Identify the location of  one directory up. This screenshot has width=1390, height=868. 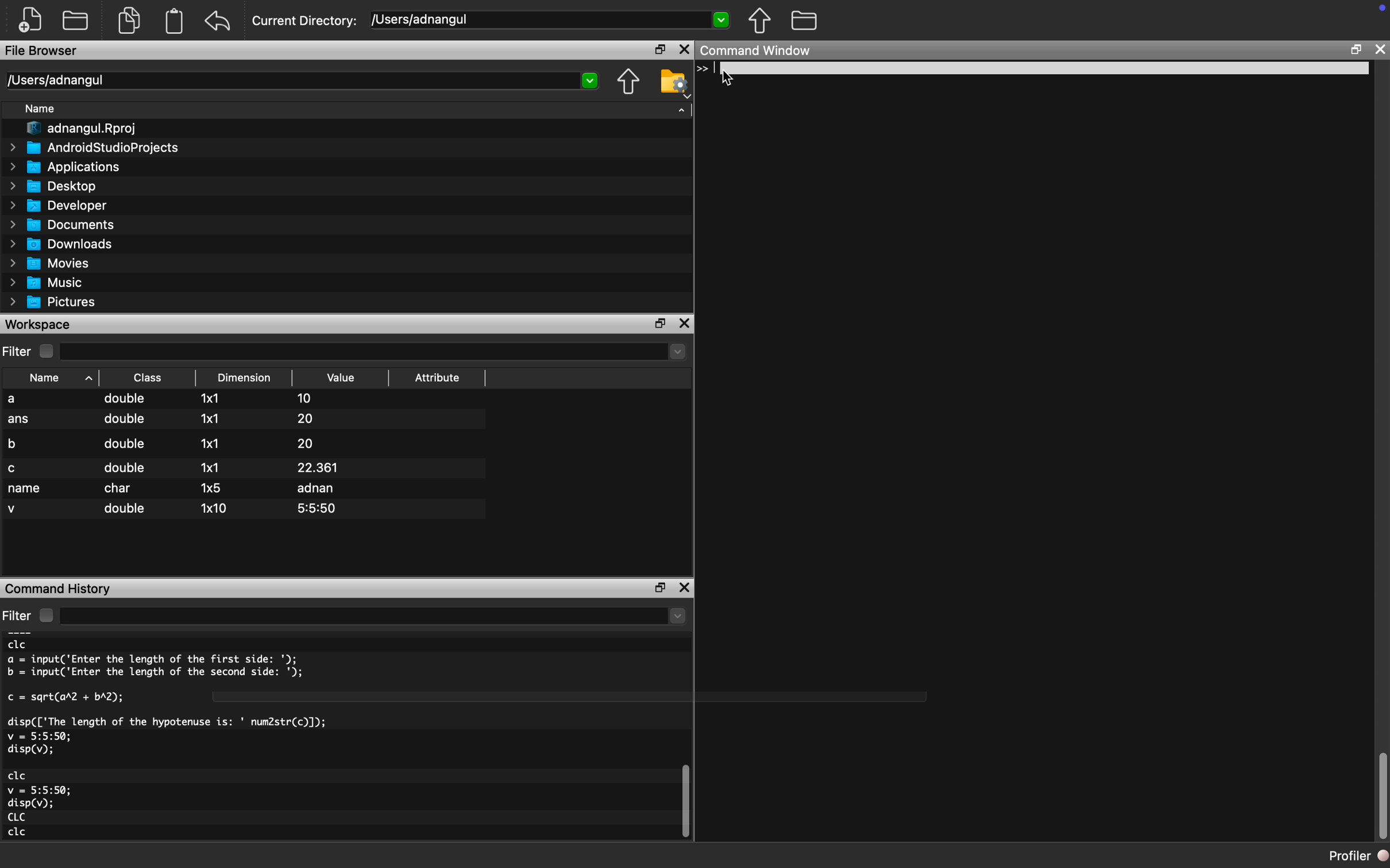
(625, 81).